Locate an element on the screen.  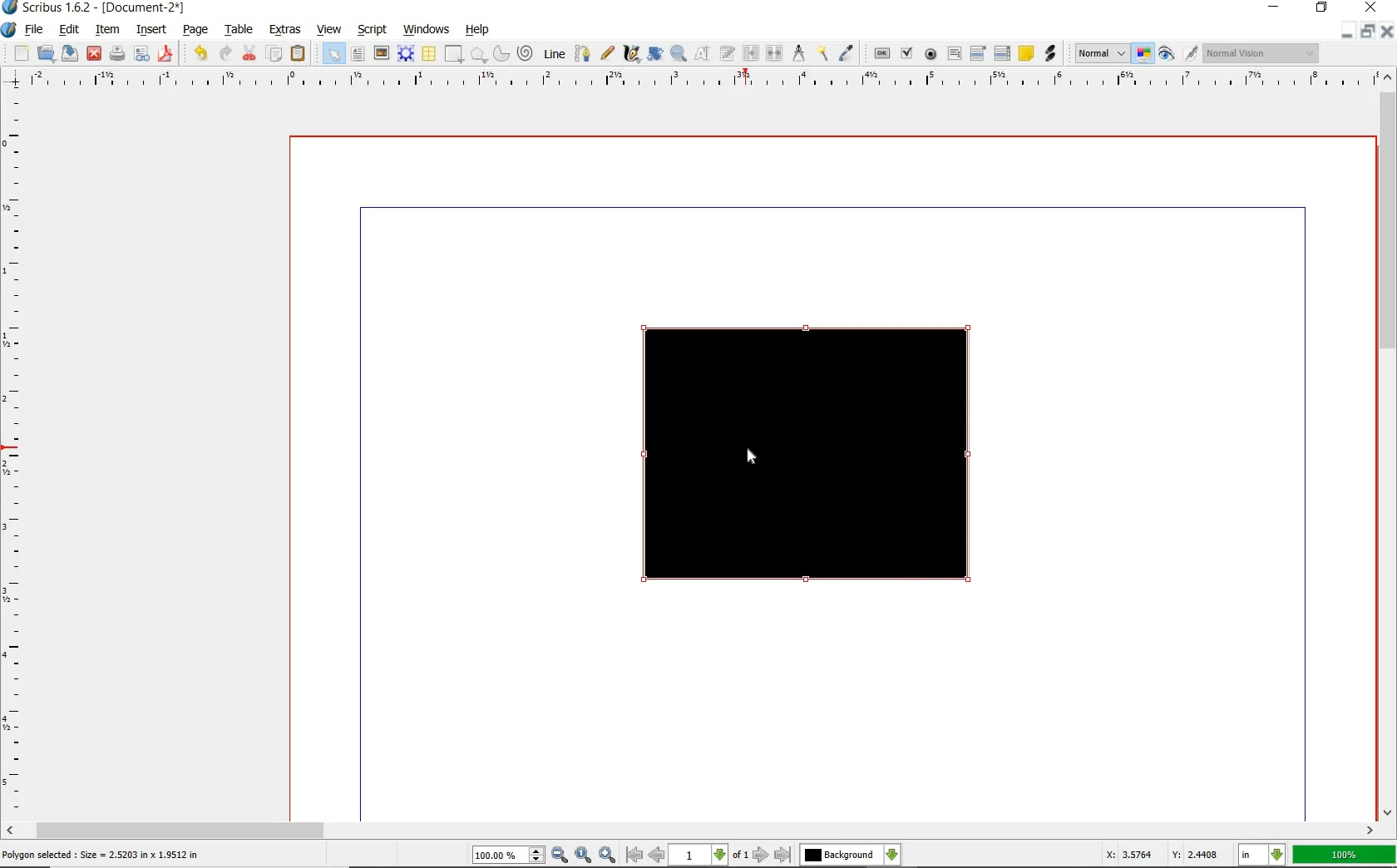
select the current layer is located at coordinates (851, 855).